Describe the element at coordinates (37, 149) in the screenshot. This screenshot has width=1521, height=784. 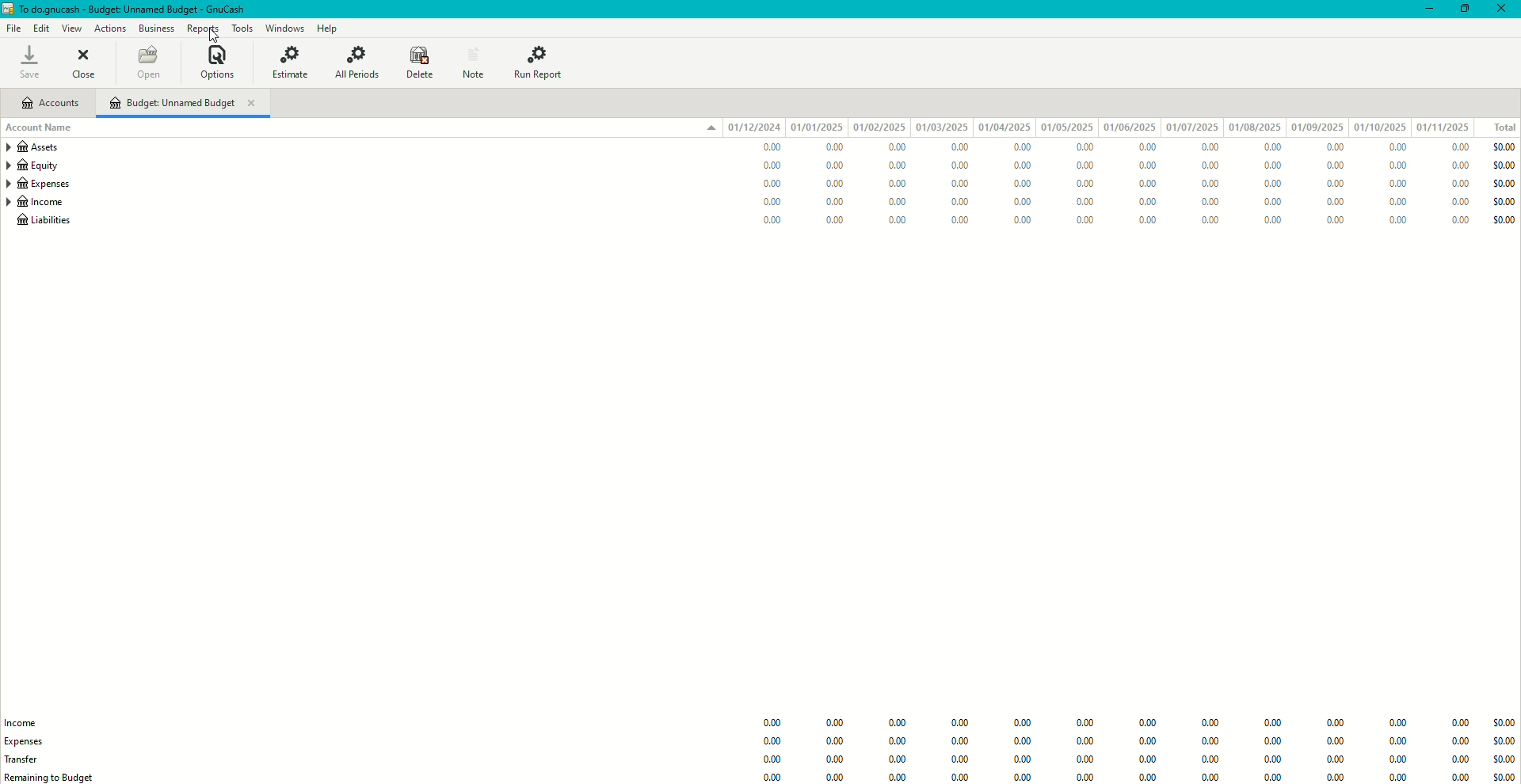
I see `Assets` at that location.